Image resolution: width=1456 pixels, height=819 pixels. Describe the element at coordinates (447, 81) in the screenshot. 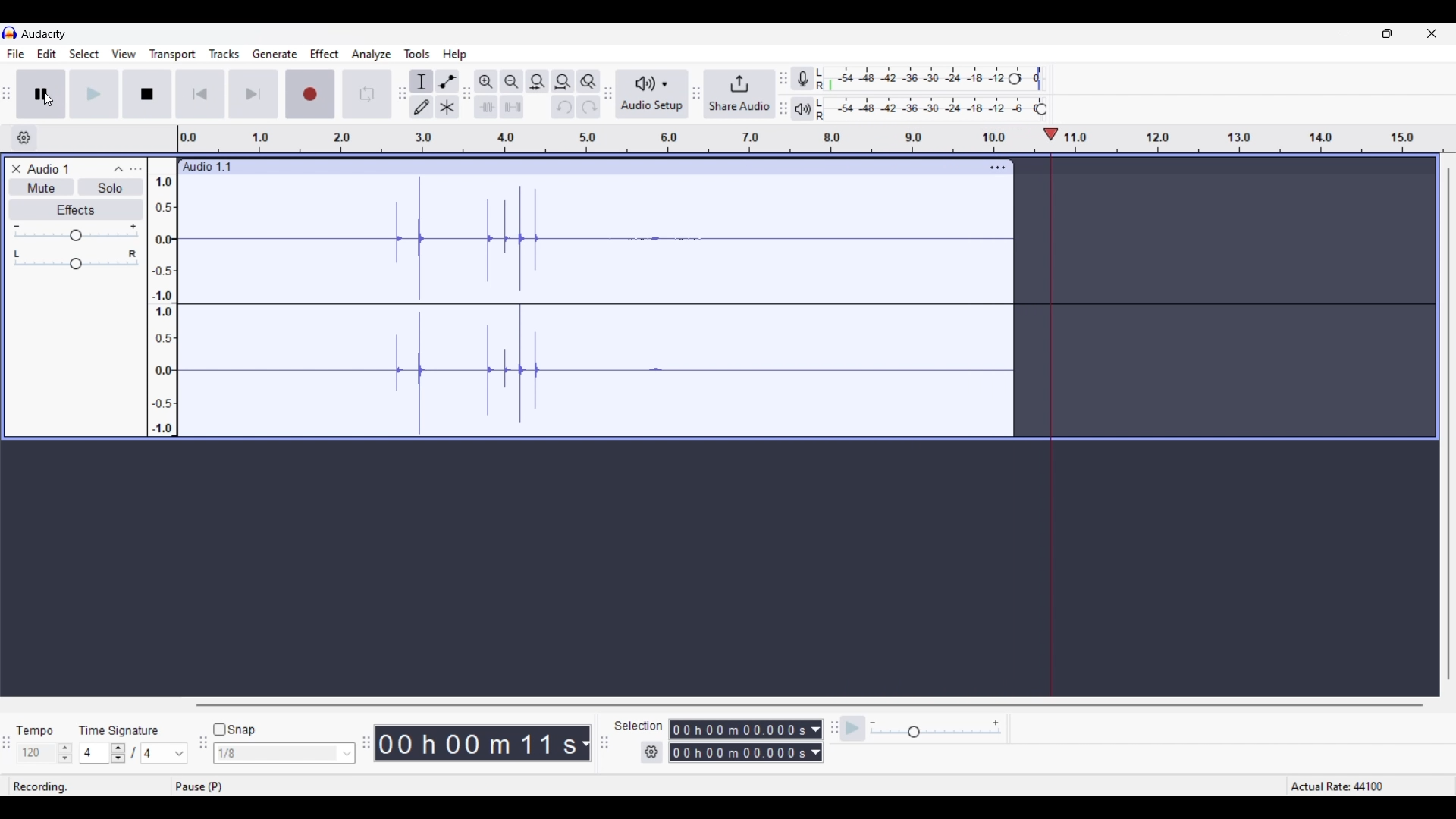

I see `Envelop tool` at that location.